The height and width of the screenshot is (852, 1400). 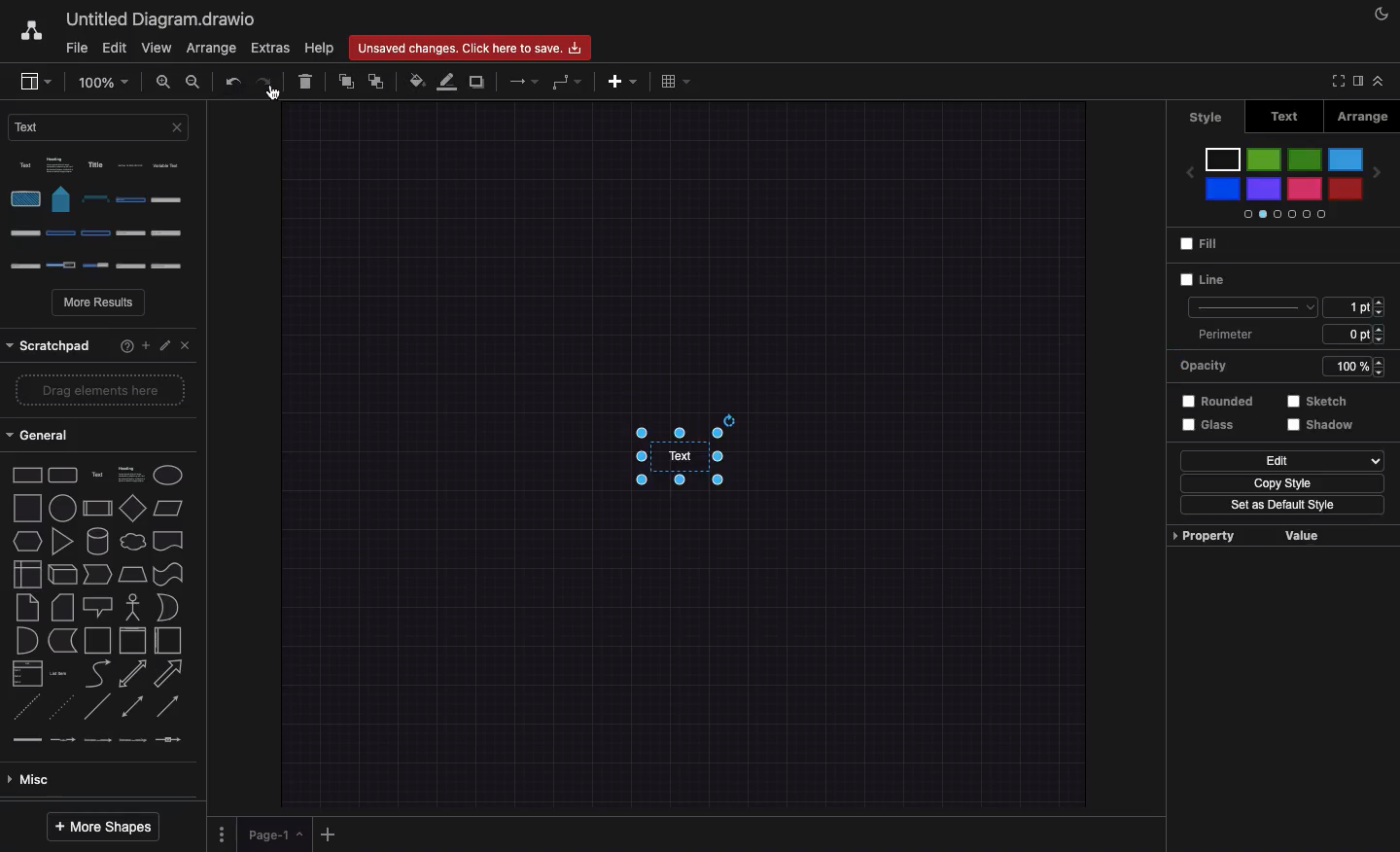 I want to click on Previous, so click(x=1185, y=166).